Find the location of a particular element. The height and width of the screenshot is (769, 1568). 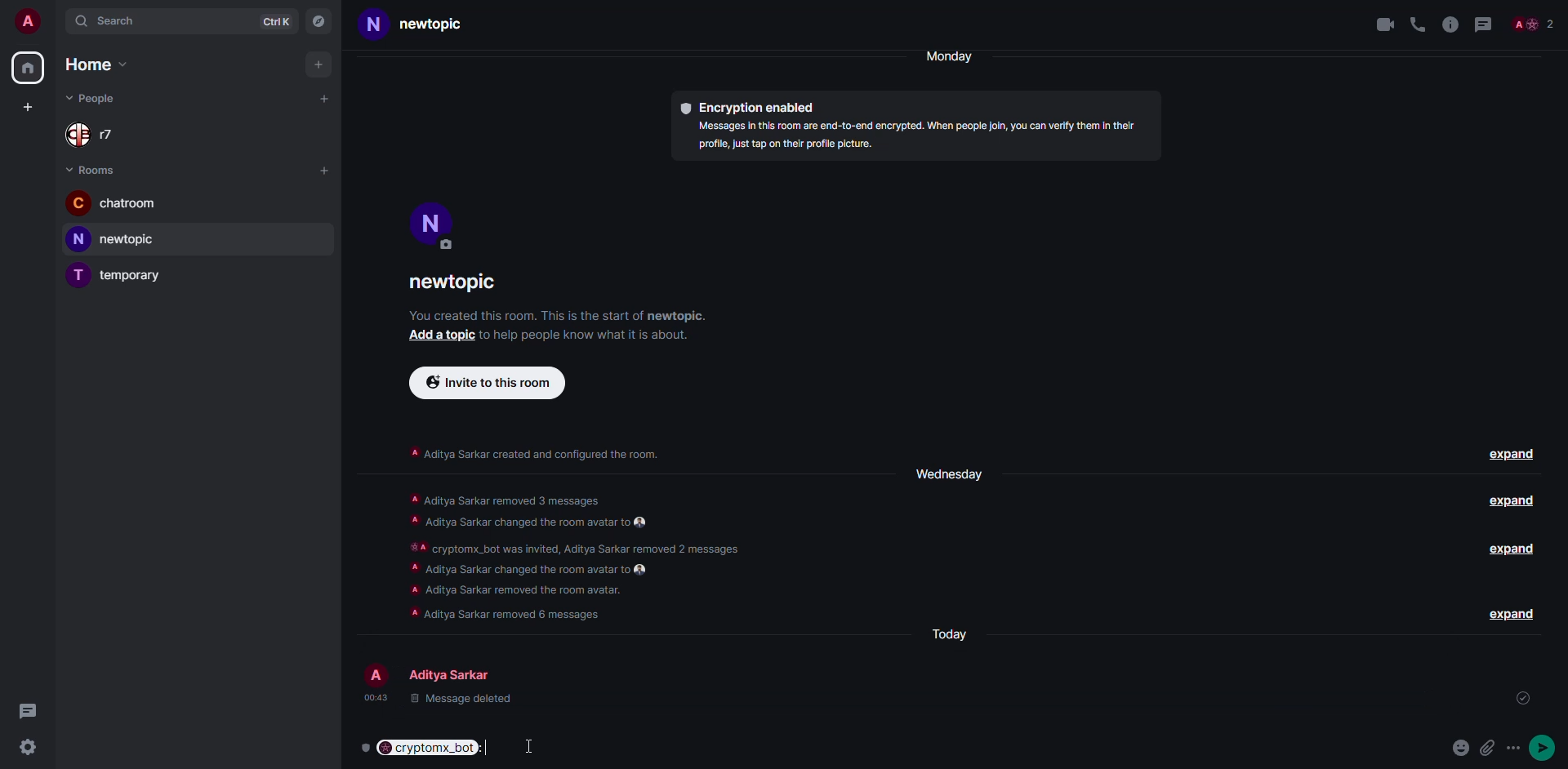

add is located at coordinates (324, 100).